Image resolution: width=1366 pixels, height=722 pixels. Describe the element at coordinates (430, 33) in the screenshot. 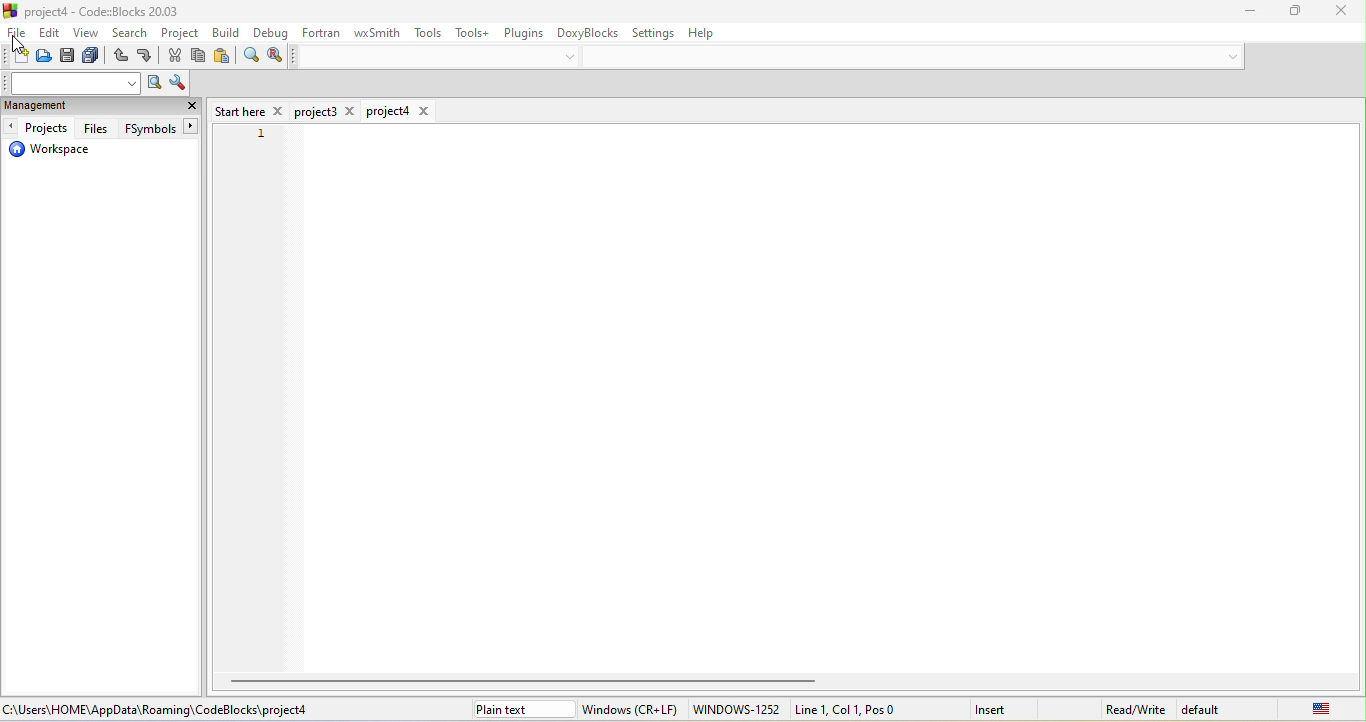

I see `tools` at that location.